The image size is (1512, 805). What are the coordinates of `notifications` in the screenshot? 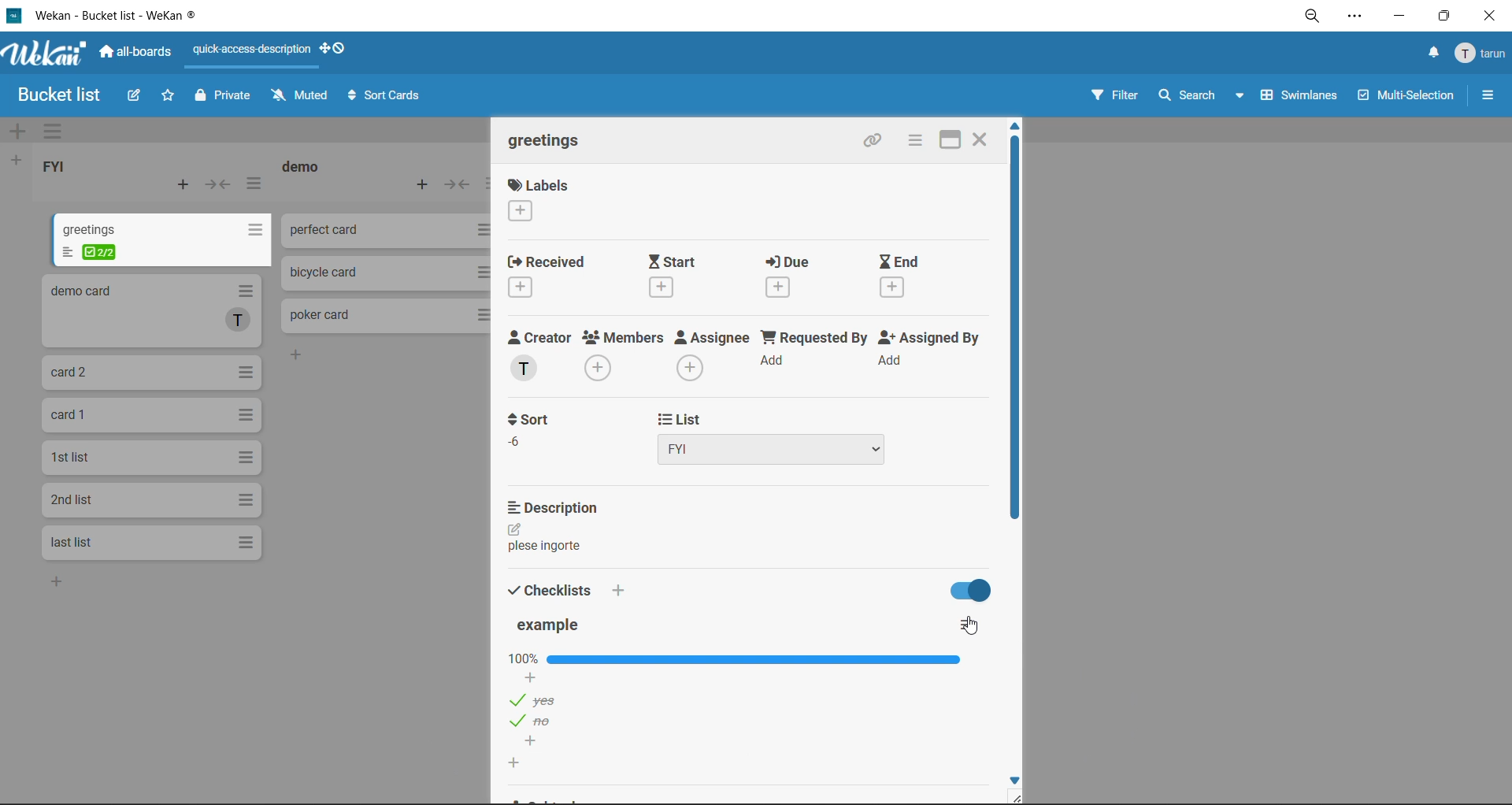 It's located at (1432, 52).